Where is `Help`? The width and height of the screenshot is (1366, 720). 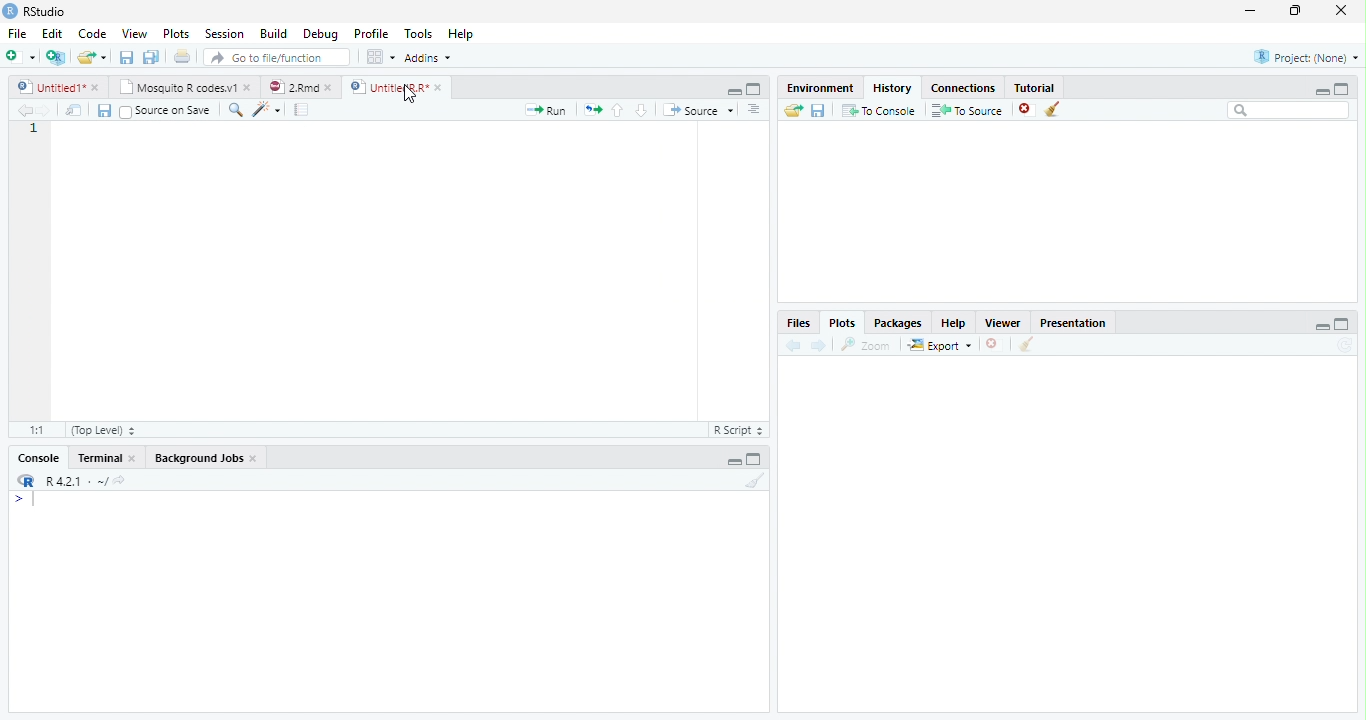 Help is located at coordinates (461, 33).